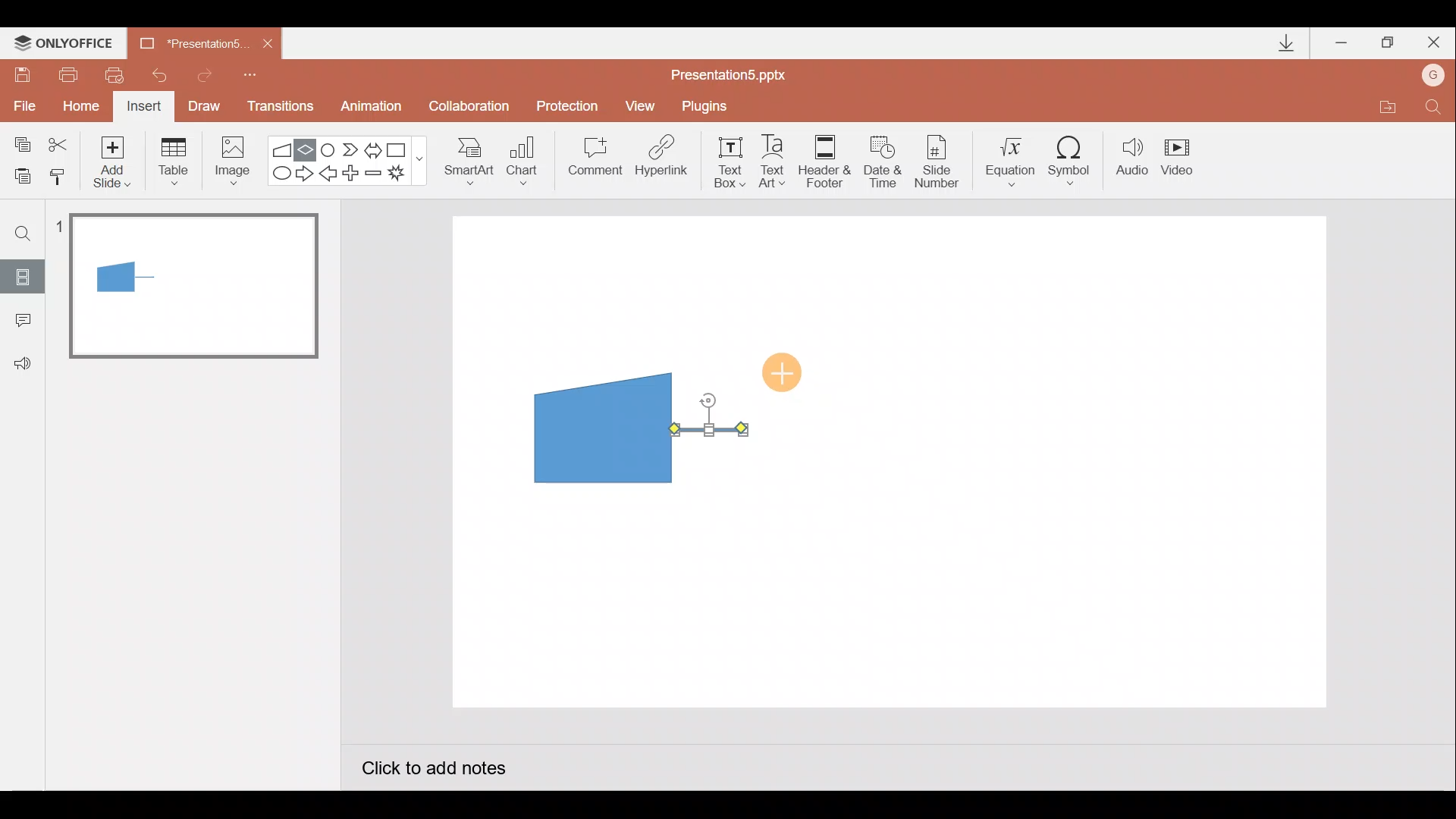 The width and height of the screenshot is (1456, 819). Describe the element at coordinates (522, 158) in the screenshot. I see `Chart` at that location.